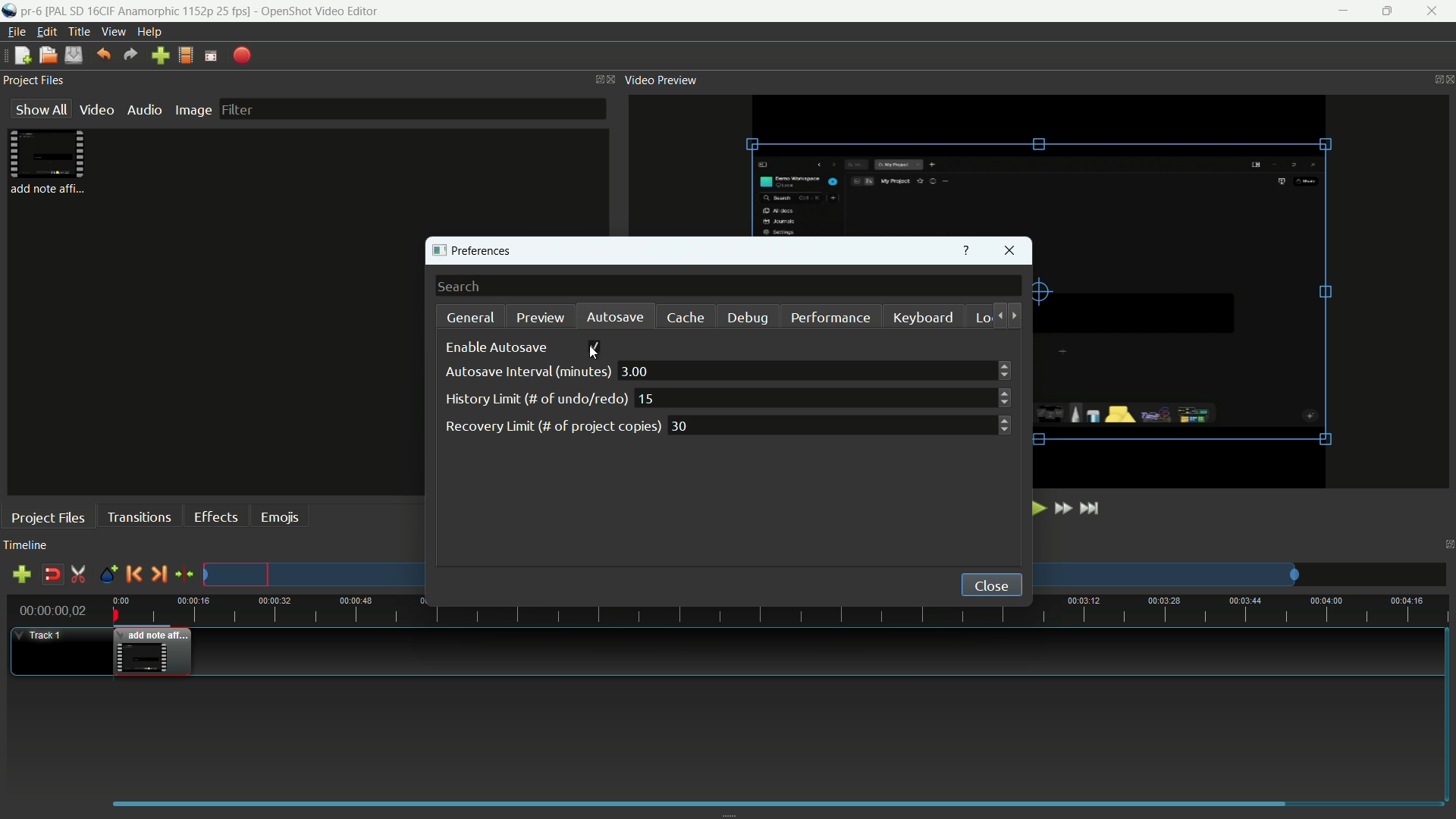 This screenshot has height=819, width=1456. Describe the element at coordinates (1447, 544) in the screenshot. I see `change layout` at that location.